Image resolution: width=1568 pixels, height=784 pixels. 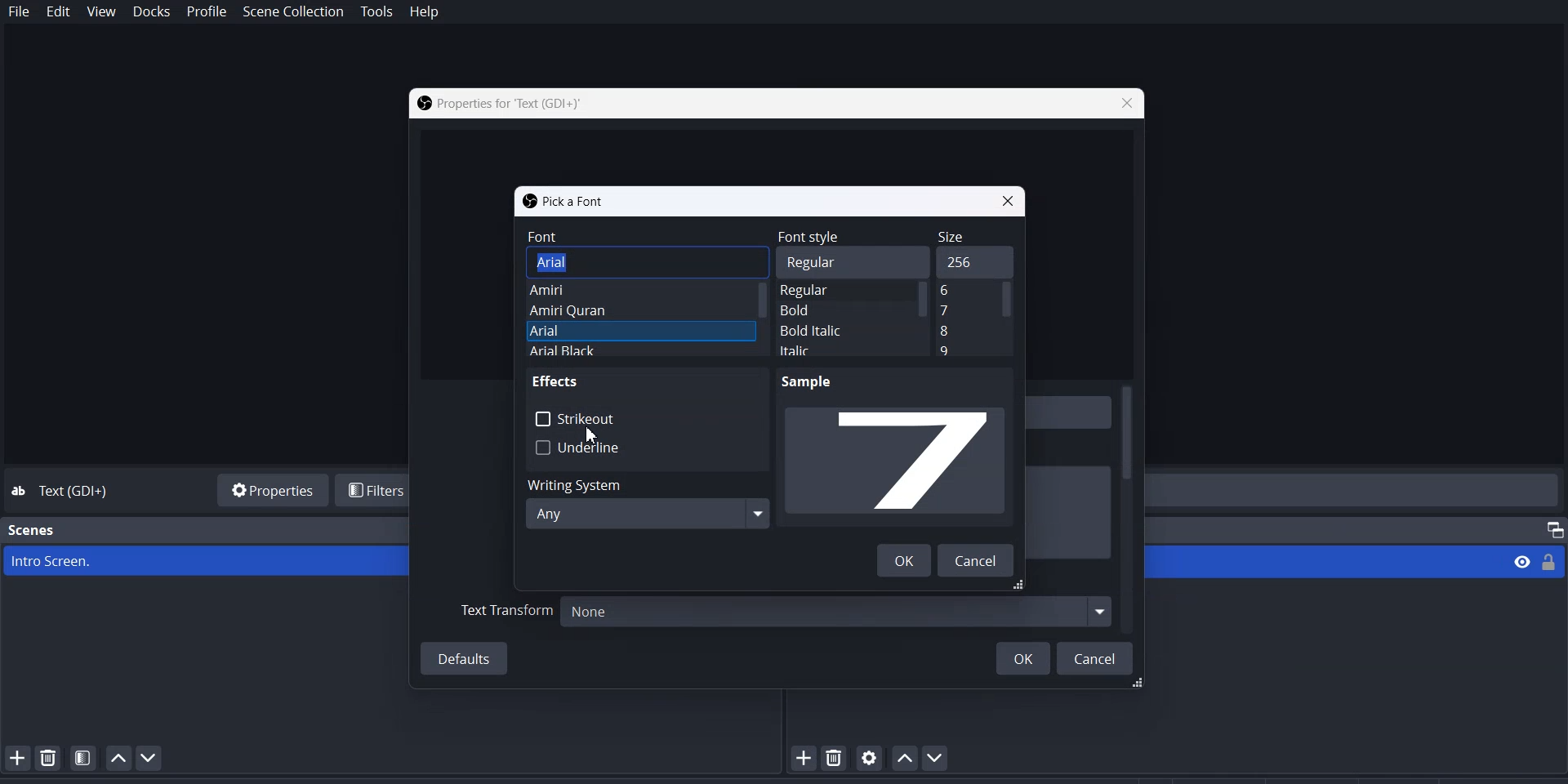 I want to click on Tools, so click(x=377, y=12).